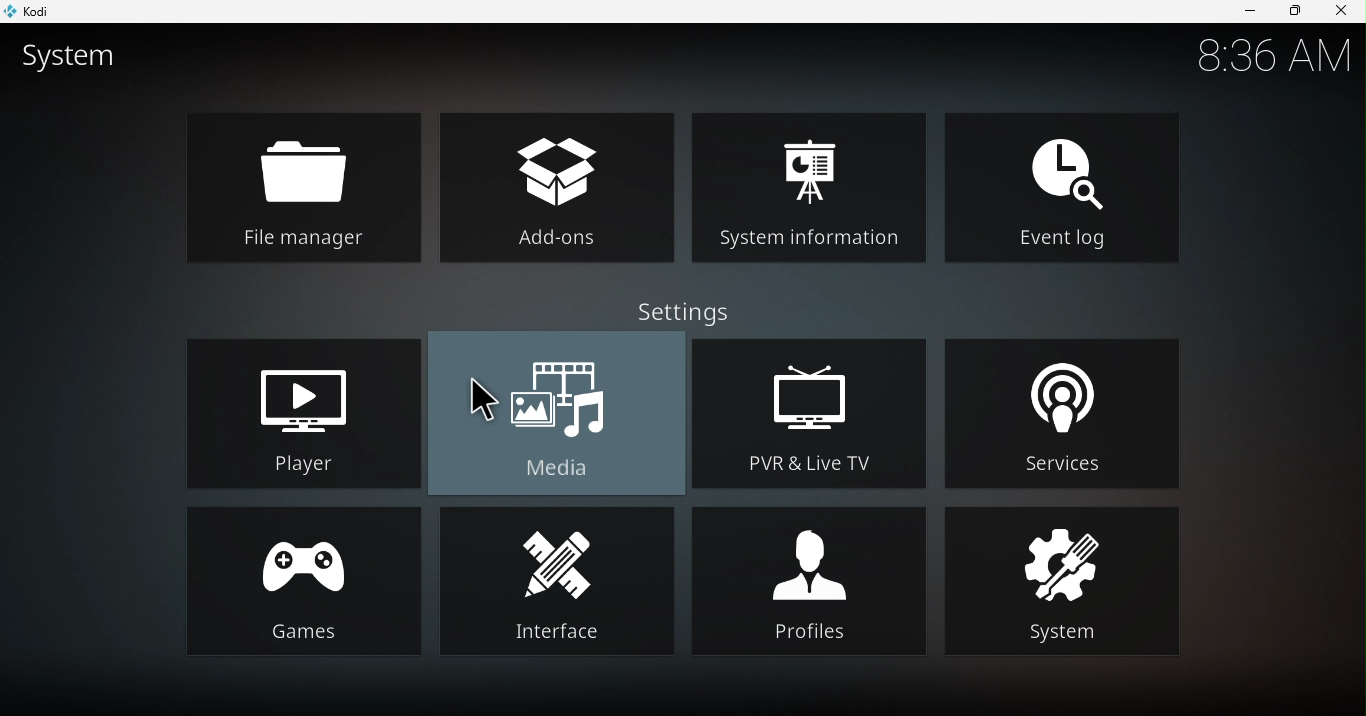  What do you see at coordinates (814, 411) in the screenshot?
I see `PVR and Live TV` at bounding box center [814, 411].